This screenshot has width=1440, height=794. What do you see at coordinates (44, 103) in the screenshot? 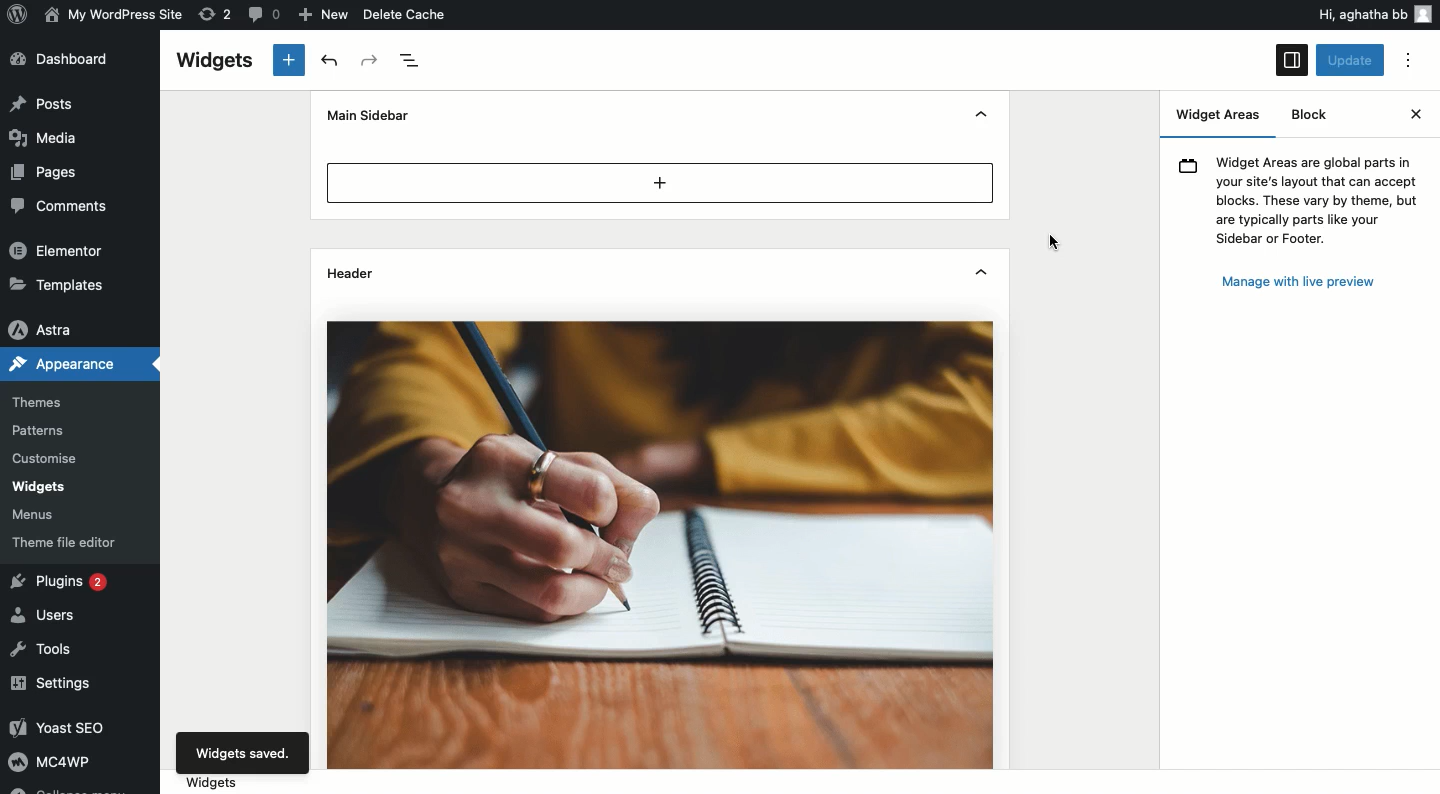
I see `Posts` at bounding box center [44, 103].